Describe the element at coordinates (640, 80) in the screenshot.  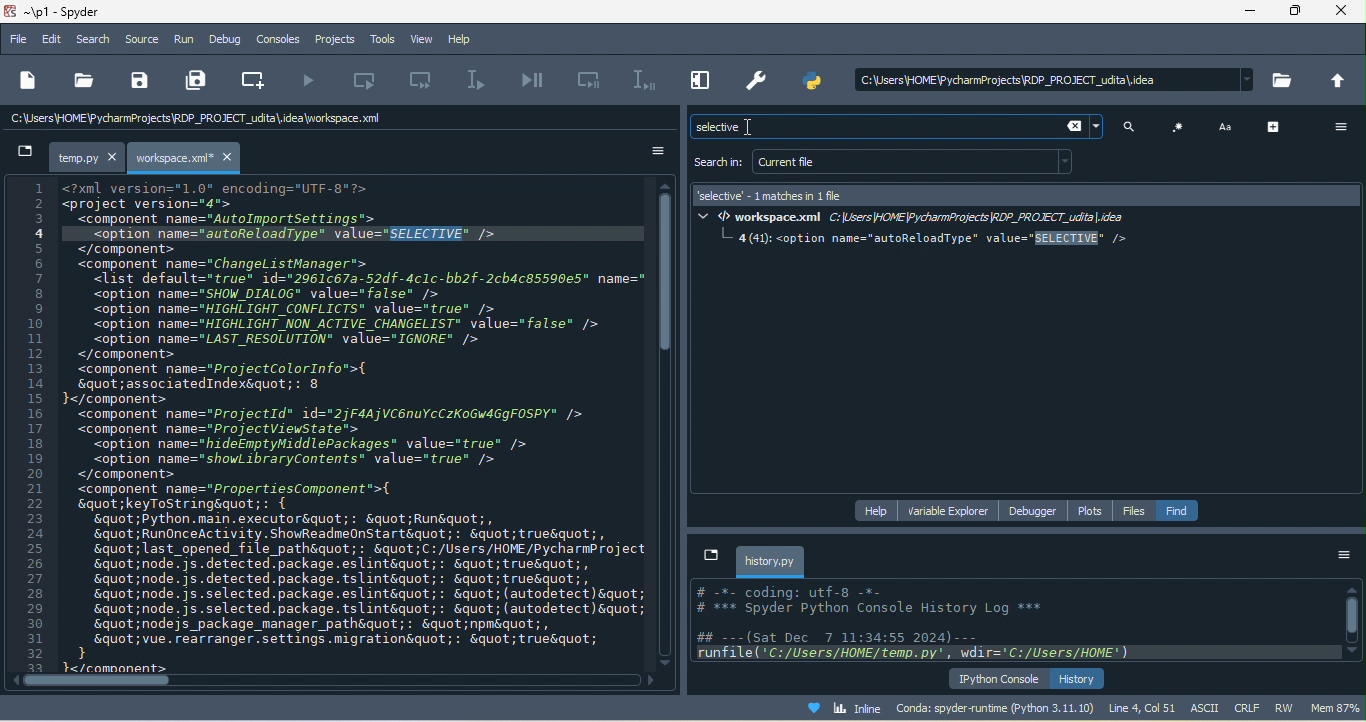
I see `debug selection` at that location.